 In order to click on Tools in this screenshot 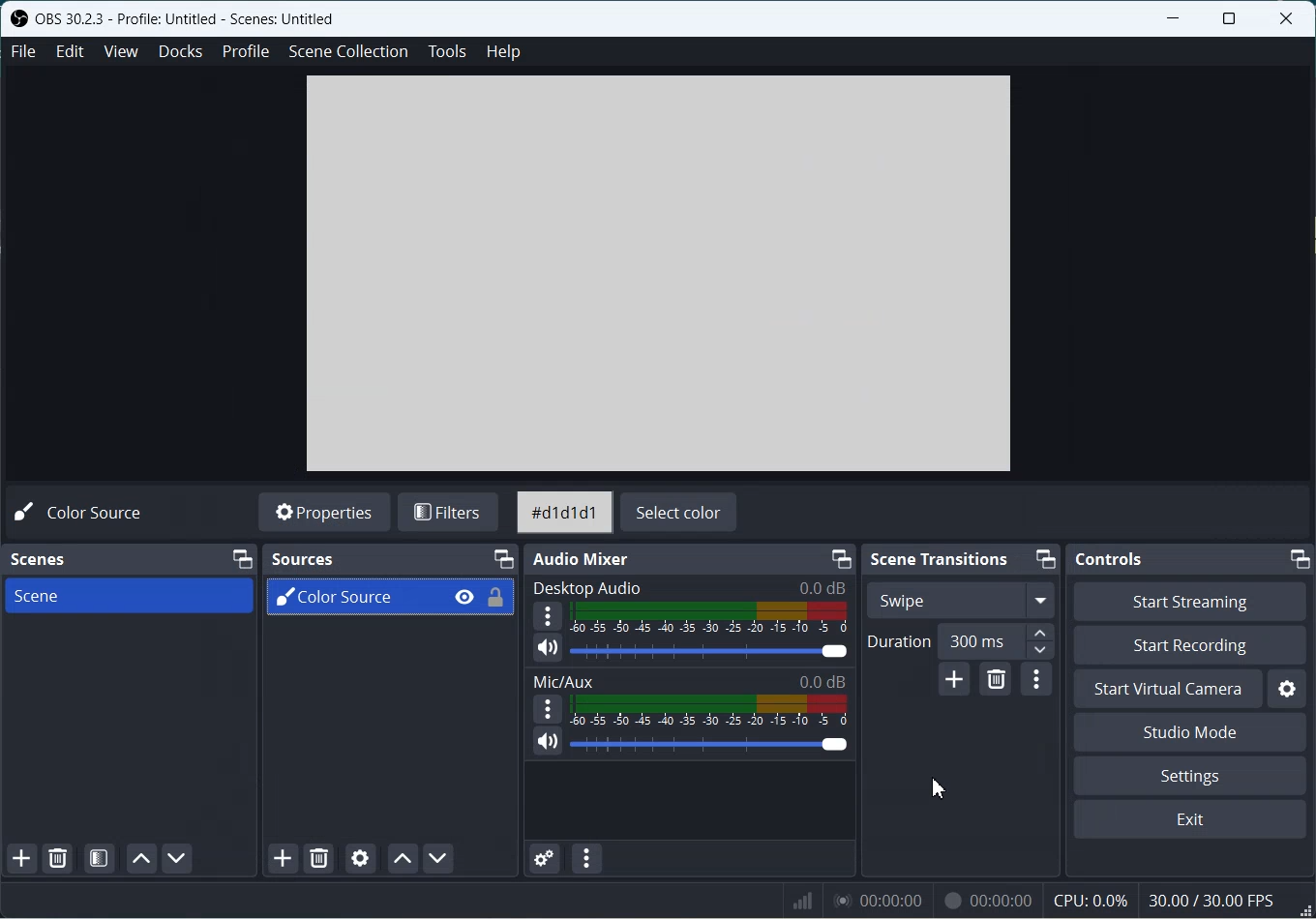, I will do `click(448, 51)`.